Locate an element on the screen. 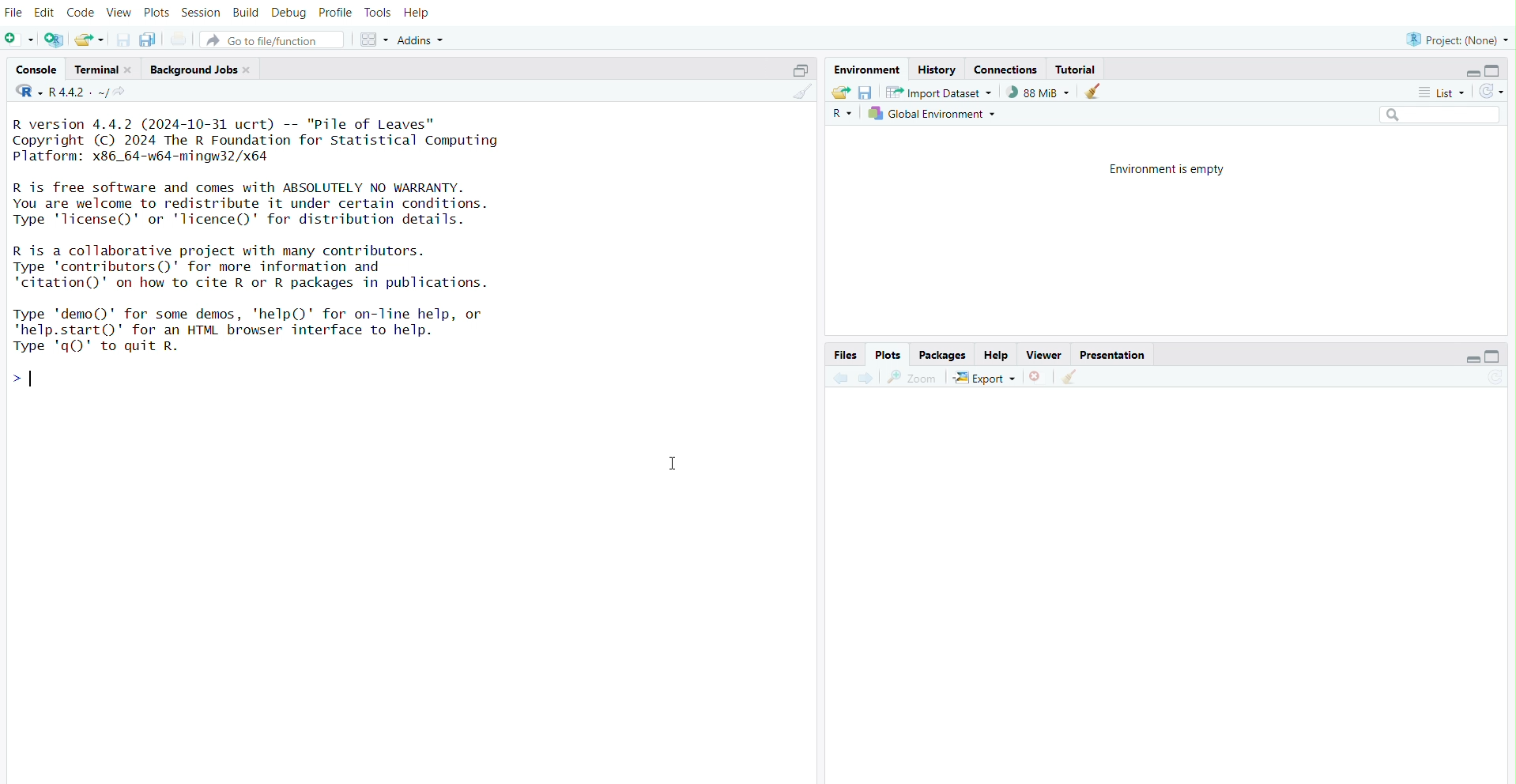  88 MiB is located at coordinates (1038, 92).